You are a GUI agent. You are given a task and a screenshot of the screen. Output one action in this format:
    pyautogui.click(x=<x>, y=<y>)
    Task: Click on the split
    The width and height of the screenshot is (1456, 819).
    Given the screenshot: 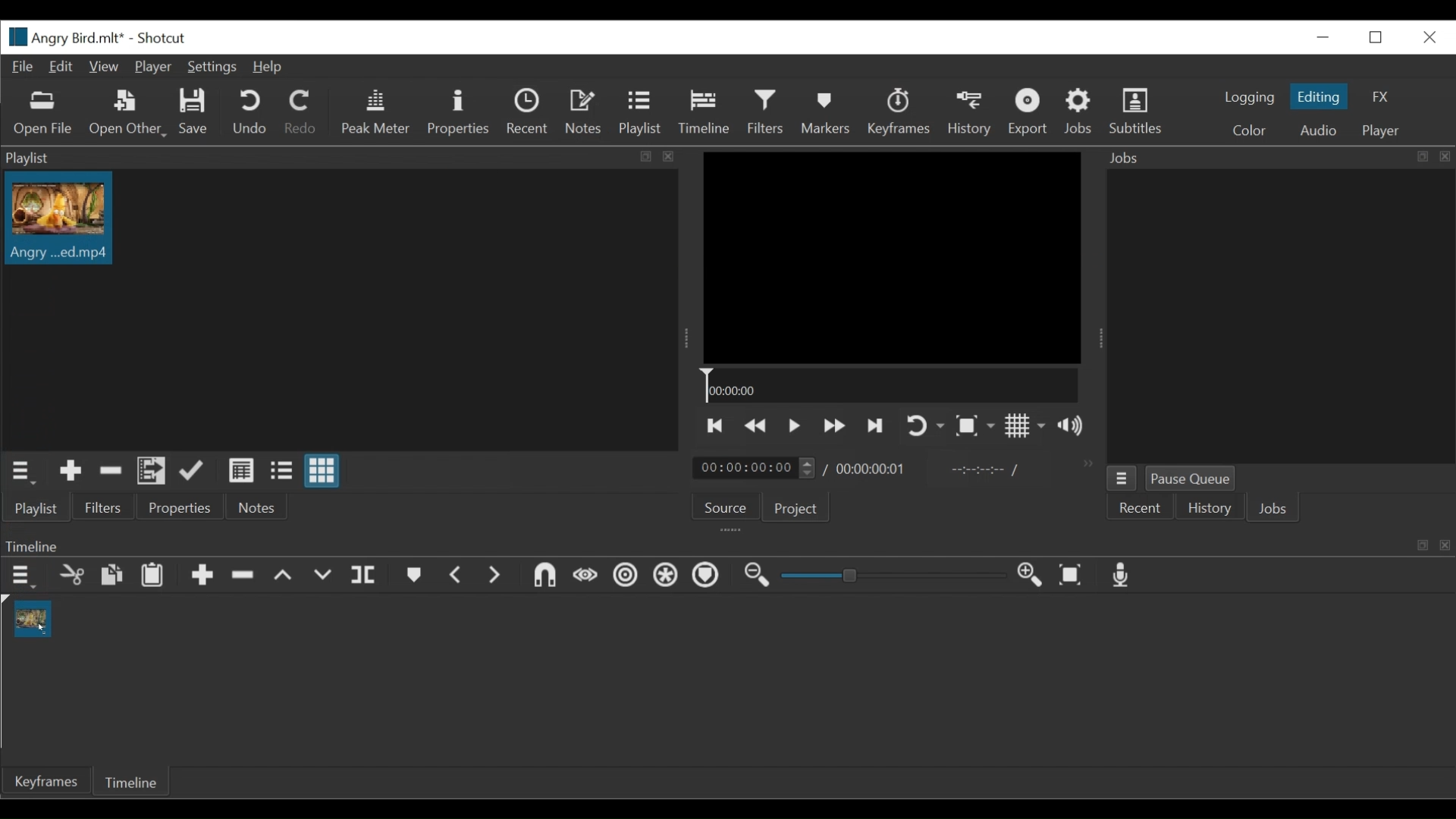 What is the action you would take?
    pyautogui.click(x=367, y=573)
    